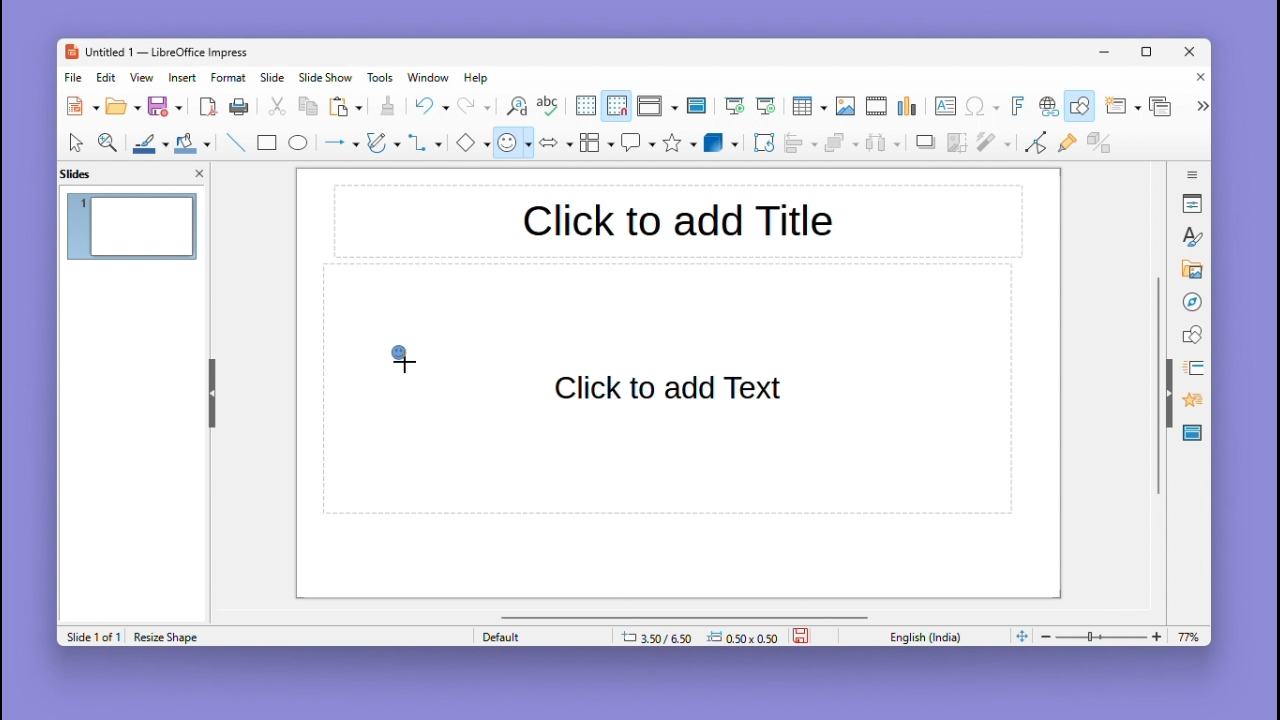  Describe the element at coordinates (845, 107) in the screenshot. I see `Image` at that location.